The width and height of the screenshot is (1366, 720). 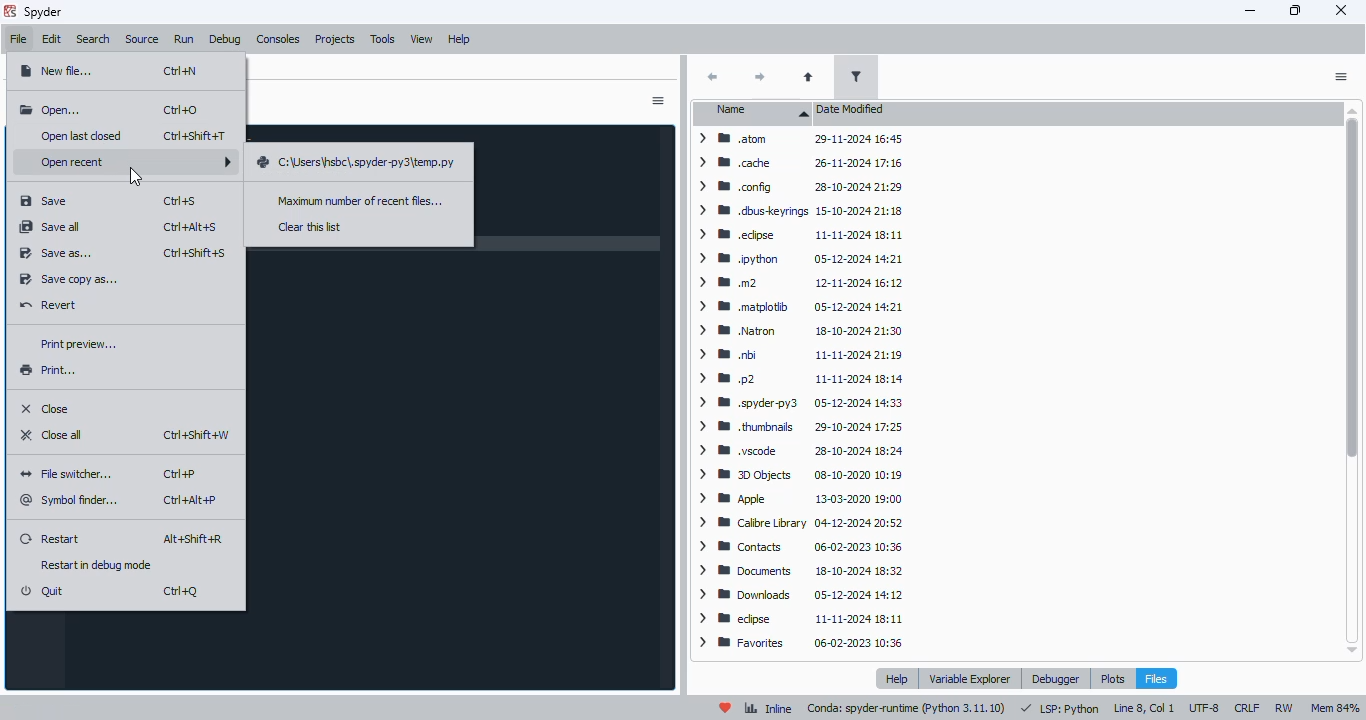 I want to click on temporary file, so click(x=356, y=164).